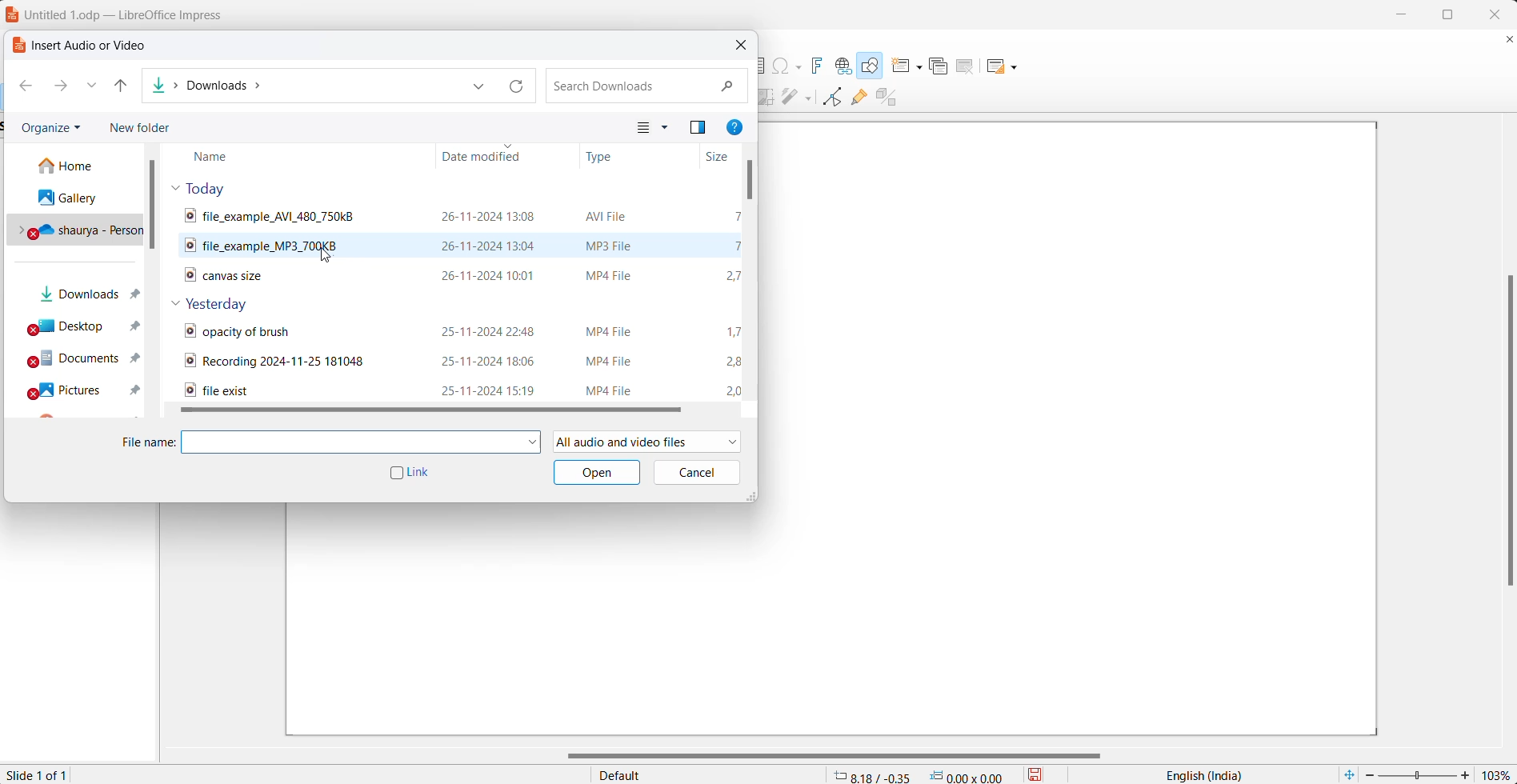 This screenshot has height=784, width=1517. Describe the element at coordinates (225, 302) in the screenshot. I see `yesterday files` at that location.